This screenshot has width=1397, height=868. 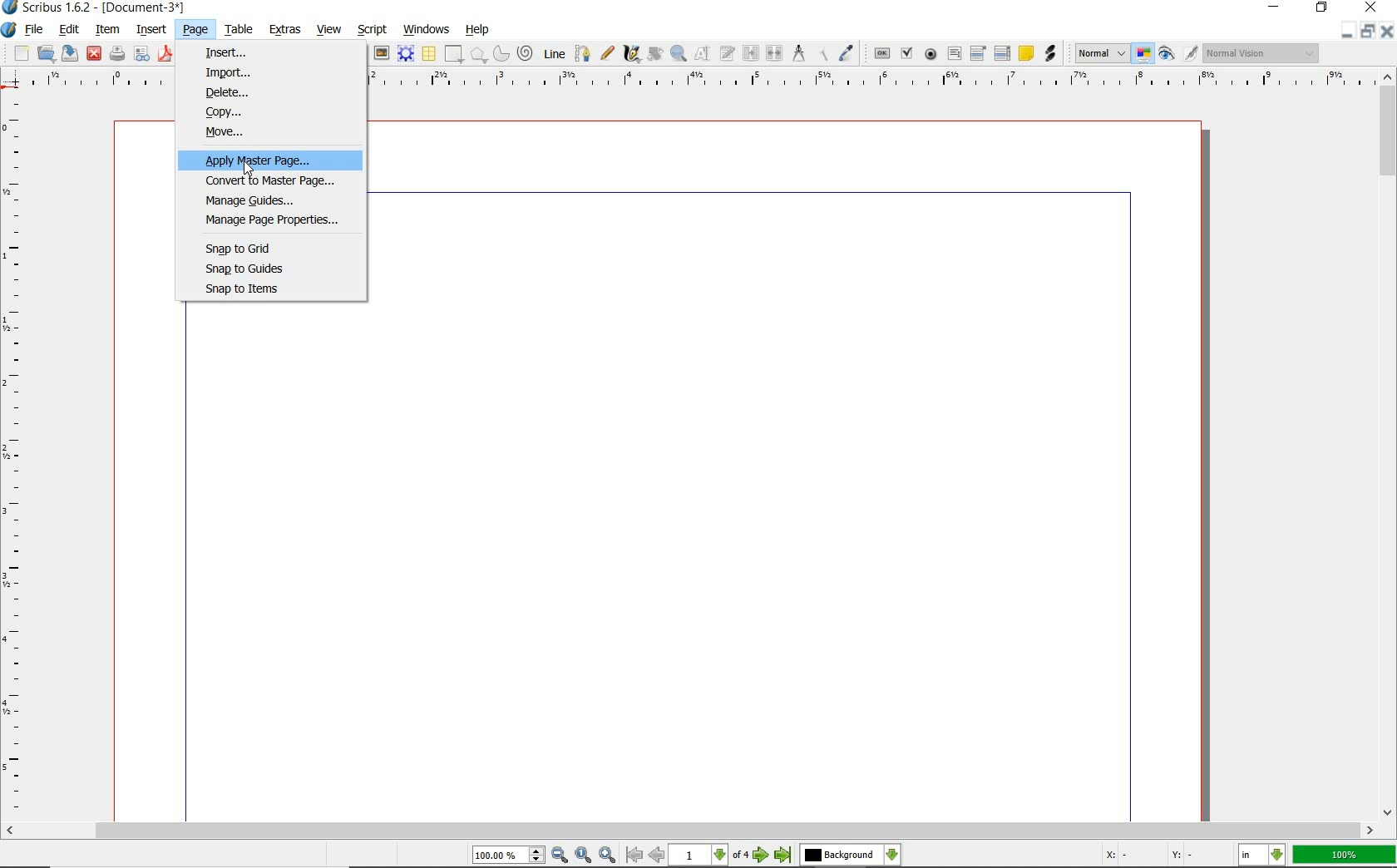 What do you see at coordinates (500, 53) in the screenshot?
I see `arc` at bounding box center [500, 53].